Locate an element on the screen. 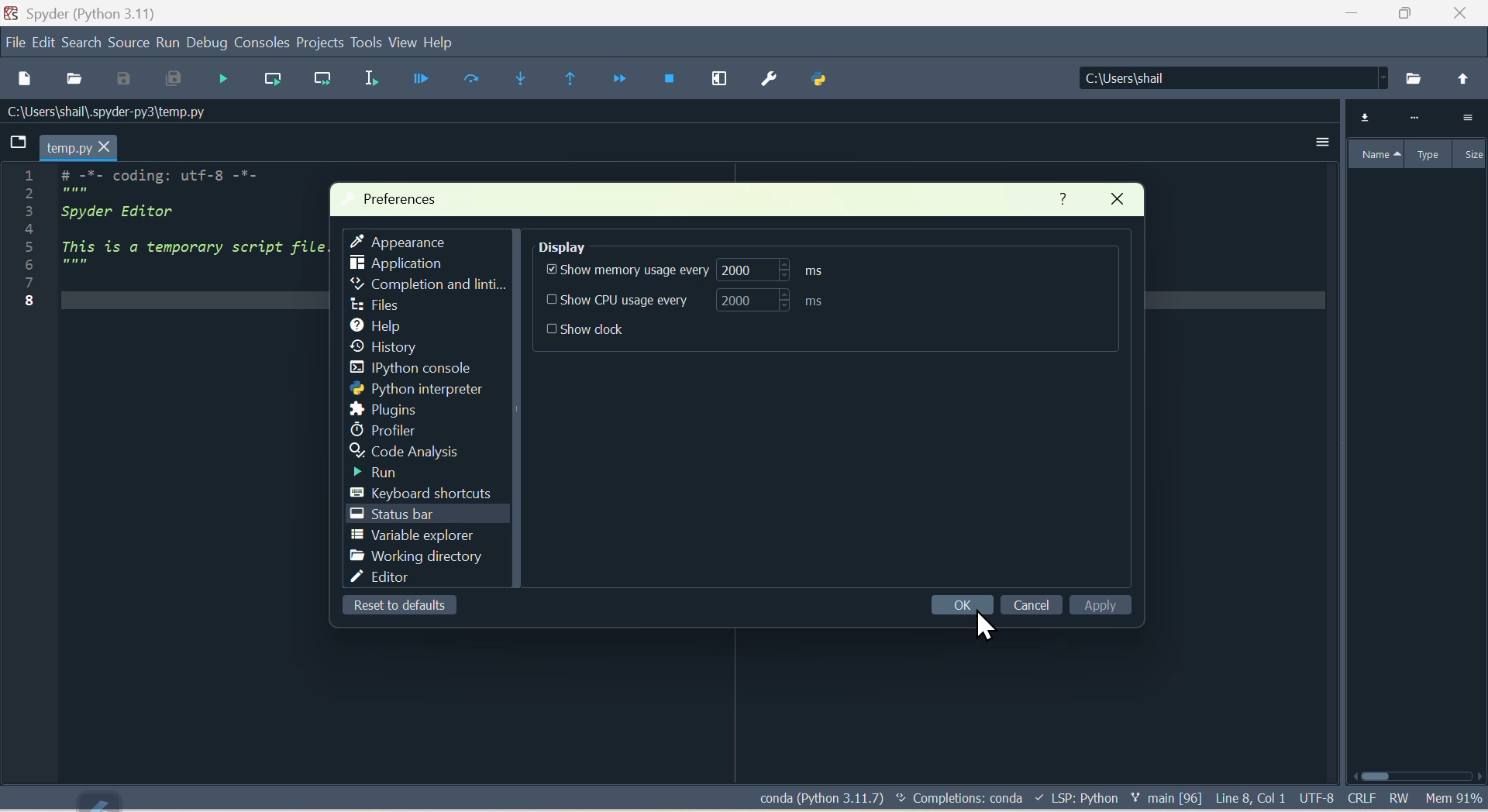 This screenshot has width=1488, height=812. history is located at coordinates (381, 347).